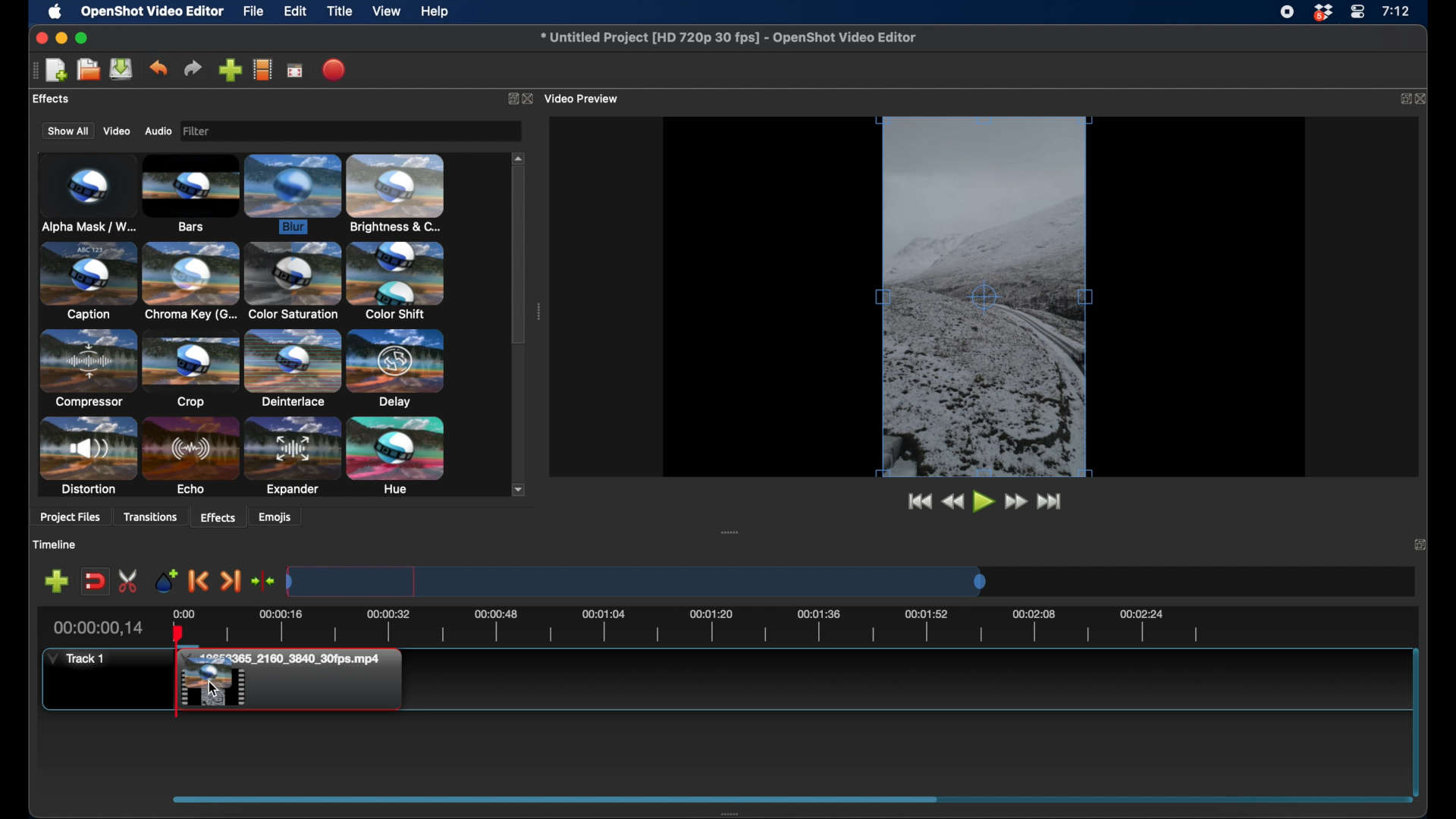 This screenshot has height=819, width=1456. I want to click on caption, so click(87, 281).